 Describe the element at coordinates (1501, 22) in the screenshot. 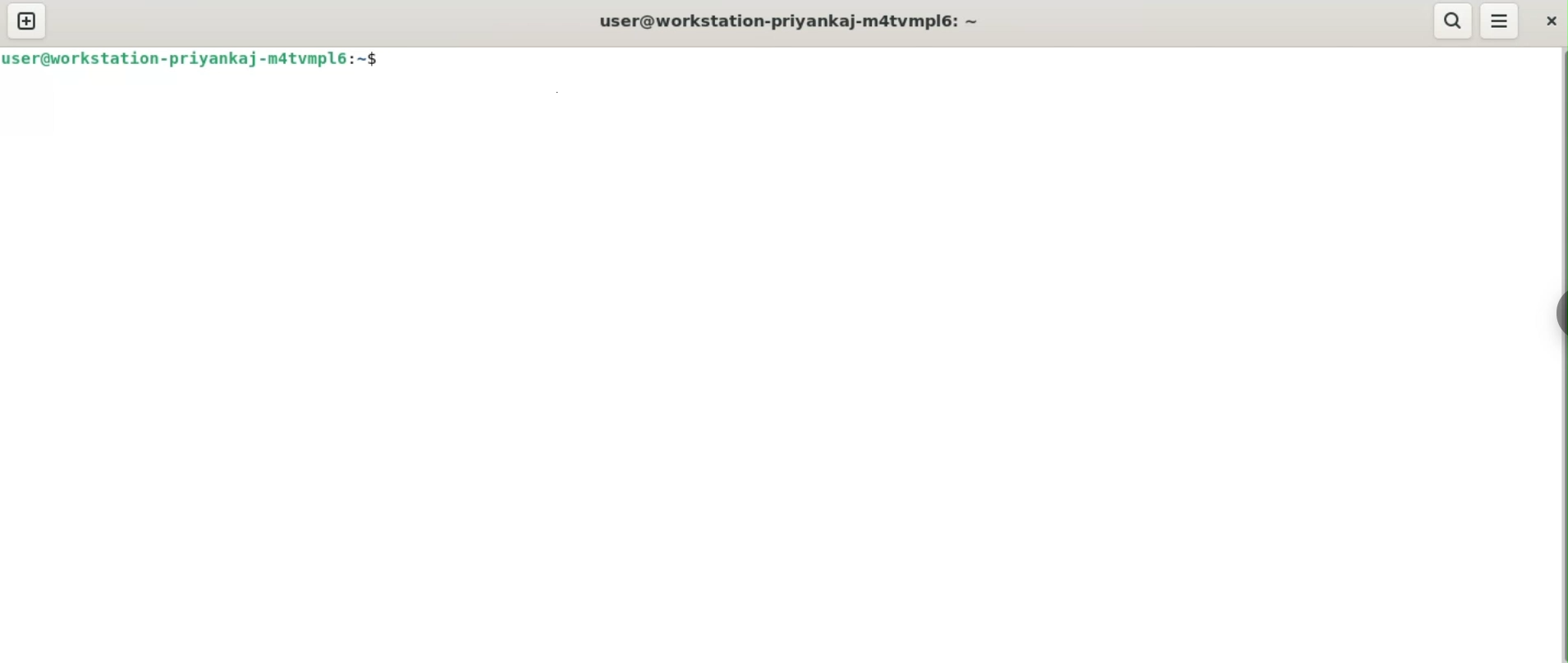

I see `menu` at that location.